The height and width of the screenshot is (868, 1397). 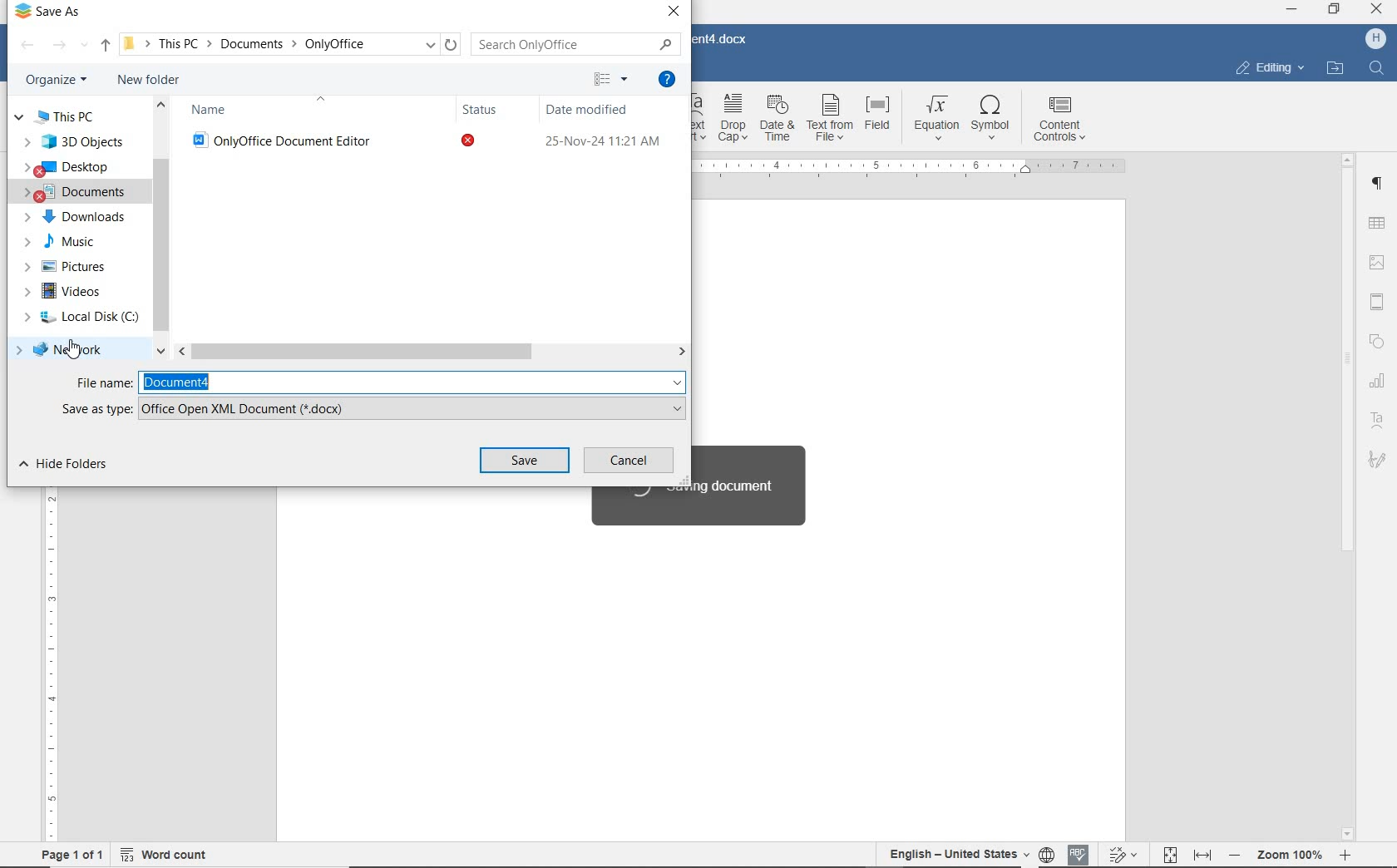 I want to click on CLOSE, so click(x=1377, y=9).